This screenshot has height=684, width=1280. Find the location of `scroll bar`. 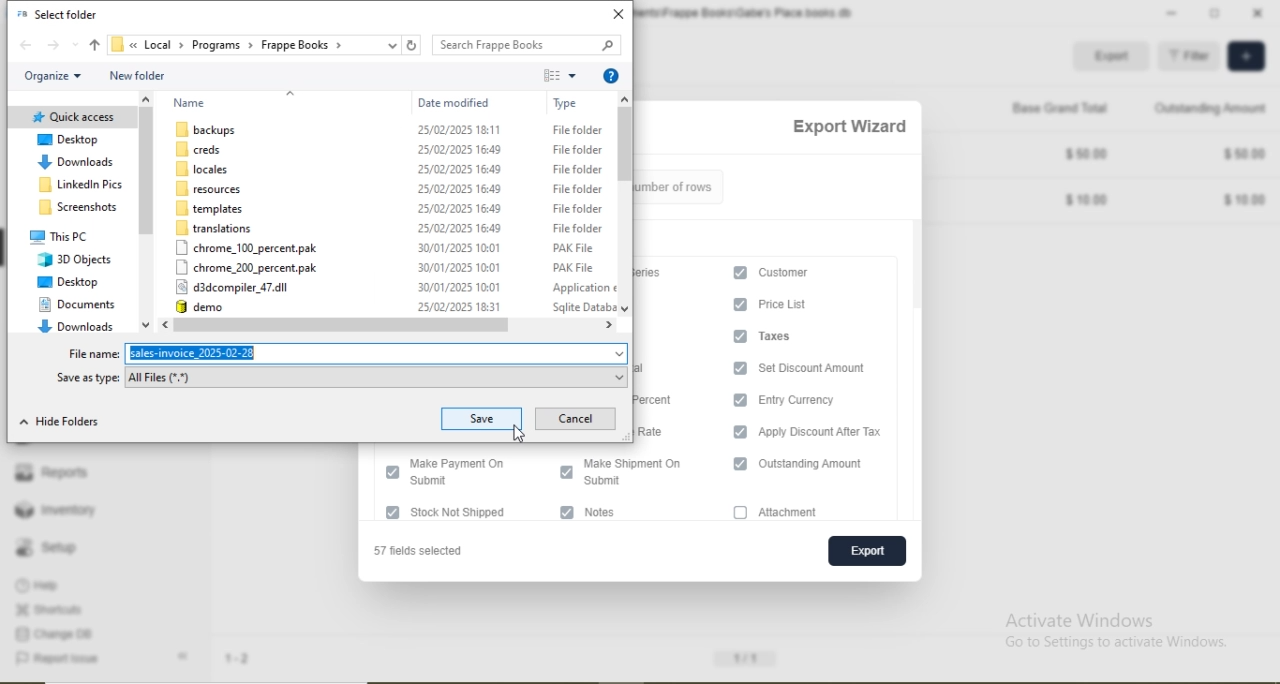

scroll bar is located at coordinates (147, 214).